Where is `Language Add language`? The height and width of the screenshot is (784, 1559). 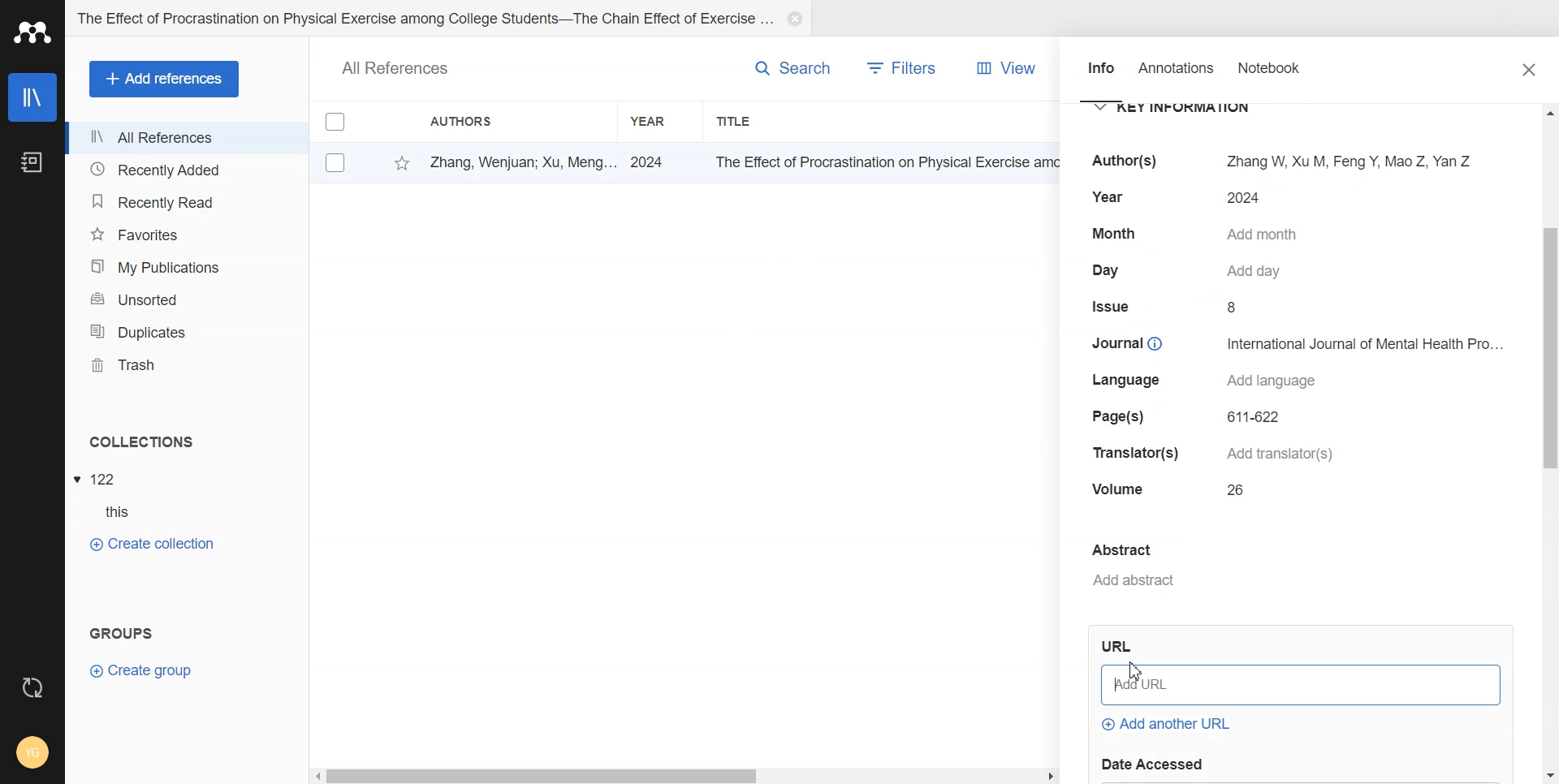 Language Add language is located at coordinates (1210, 381).